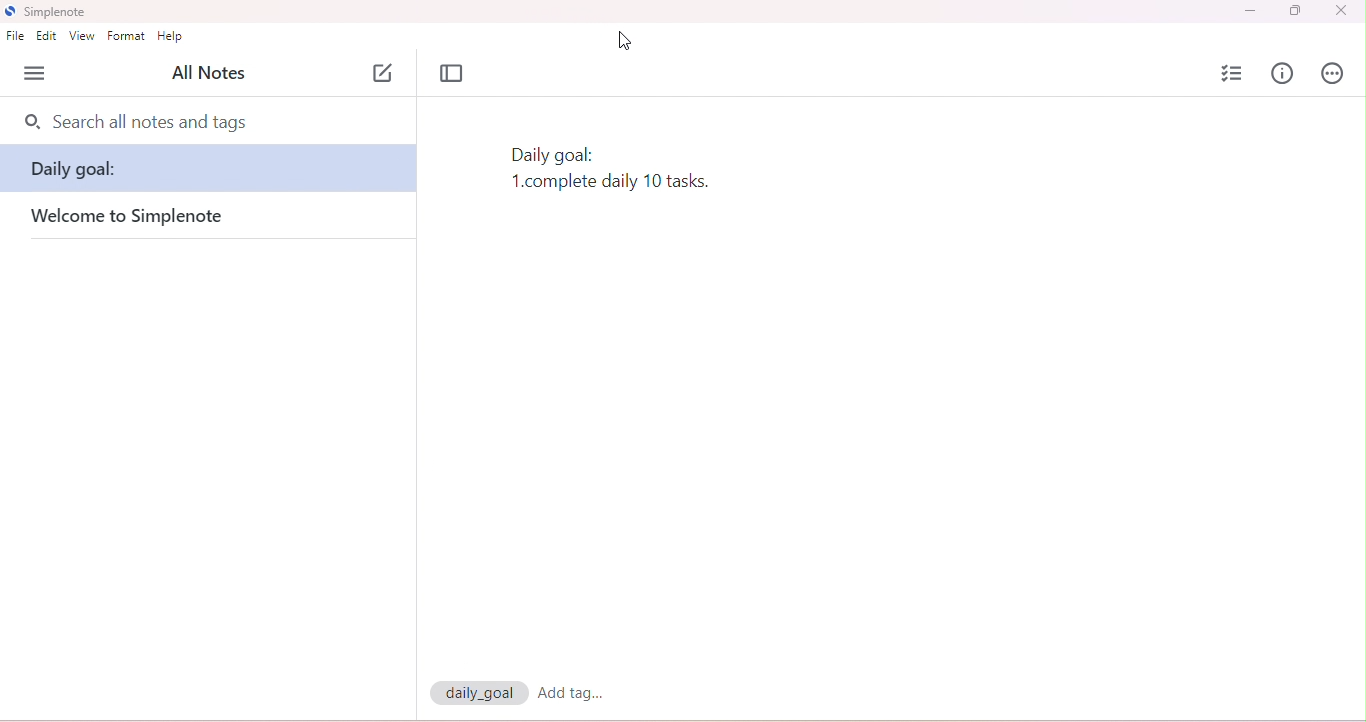 The width and height of the screenshot is (1366, 722). What do you see at coordinates (1340, 11) in the screenshot?
I see `close` at bounding box center [1340, 11].